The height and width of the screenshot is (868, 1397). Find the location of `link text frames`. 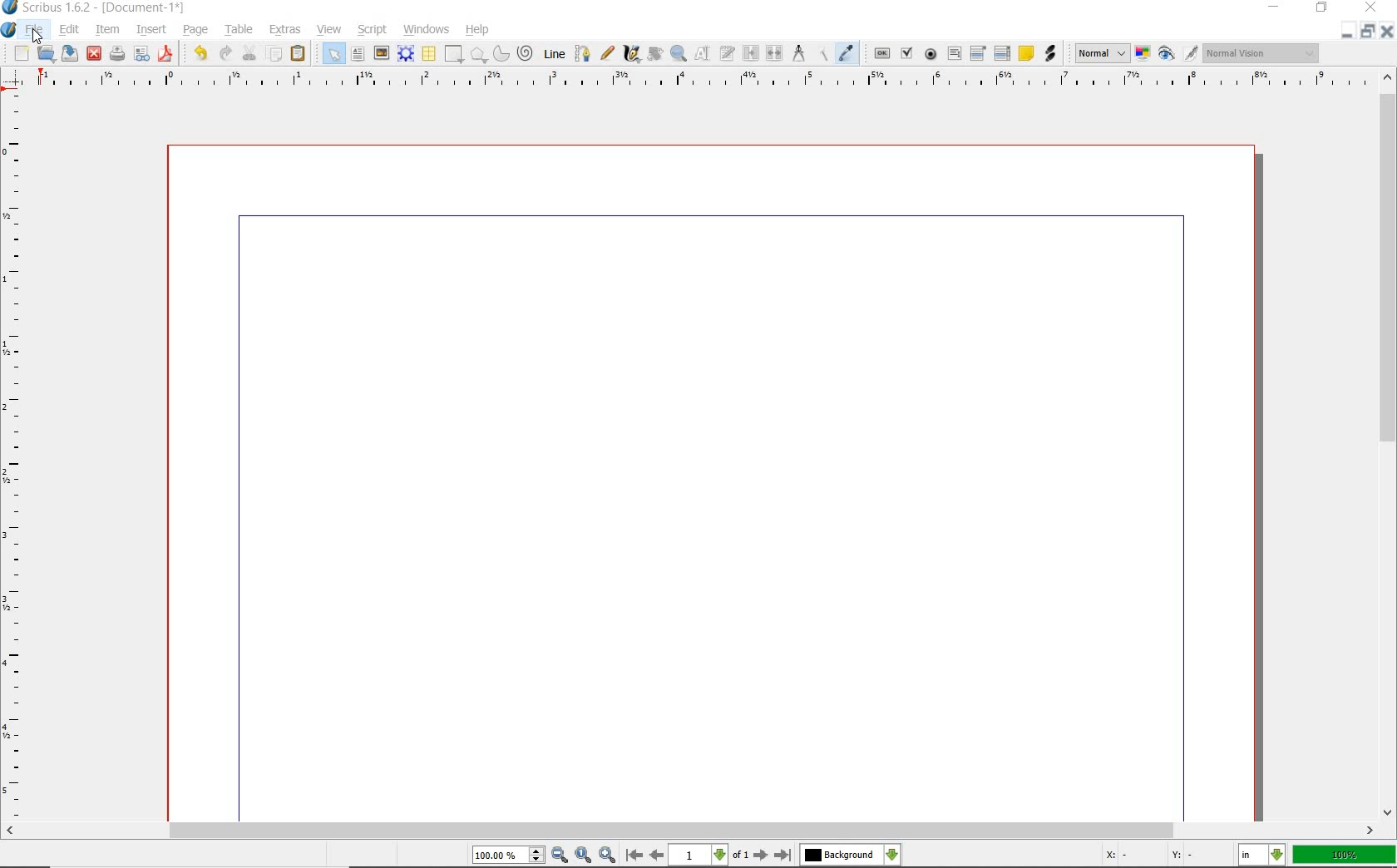

link text frames is located at coordinates (753, 53).